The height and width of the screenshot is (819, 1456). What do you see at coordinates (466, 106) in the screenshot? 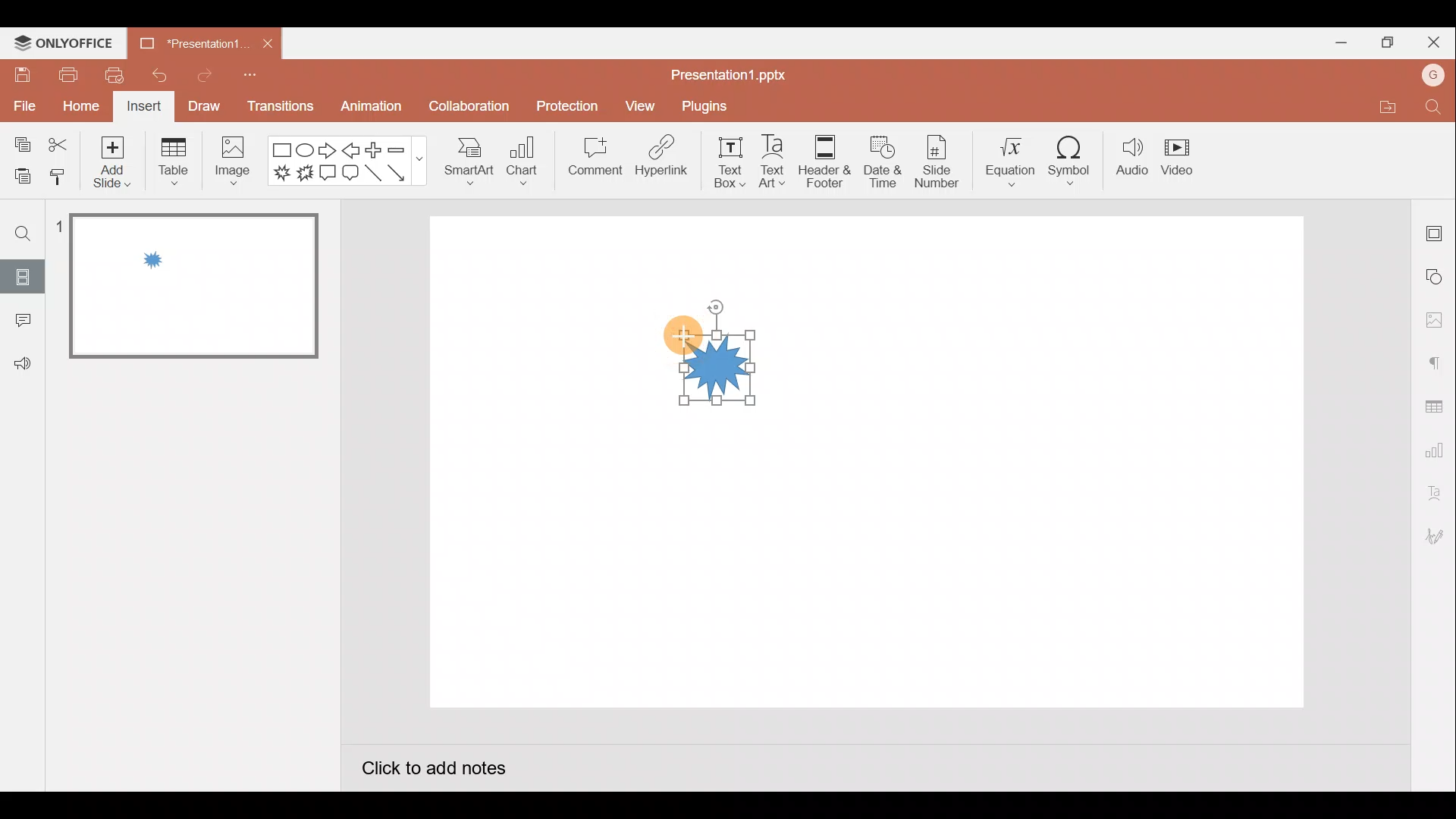
I see `Collaboration` at bounding box center [466, 106].